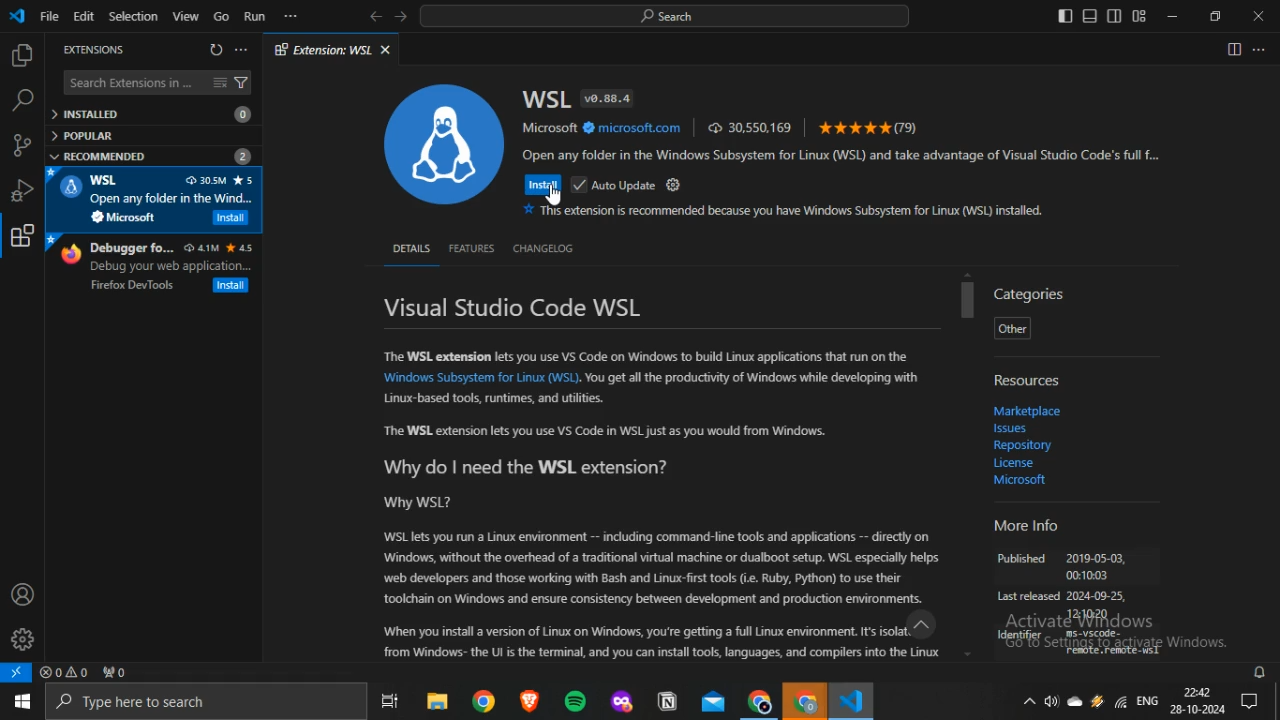  Describe the element at coordinates (662, 568) in the screenshot. I see `WSL lets you run a Linux environment -- including command-line tools and applications -- directly on
‘Windows, without the overhead of a traditional virtual machine or dualboot setup. WSL especially helps.
‘web developers and those working with Bash and Linux-first tools (i. Ruby, Python) to use their
‘tookhain on Windows and ensure consistency between development and production environments.` at that location.